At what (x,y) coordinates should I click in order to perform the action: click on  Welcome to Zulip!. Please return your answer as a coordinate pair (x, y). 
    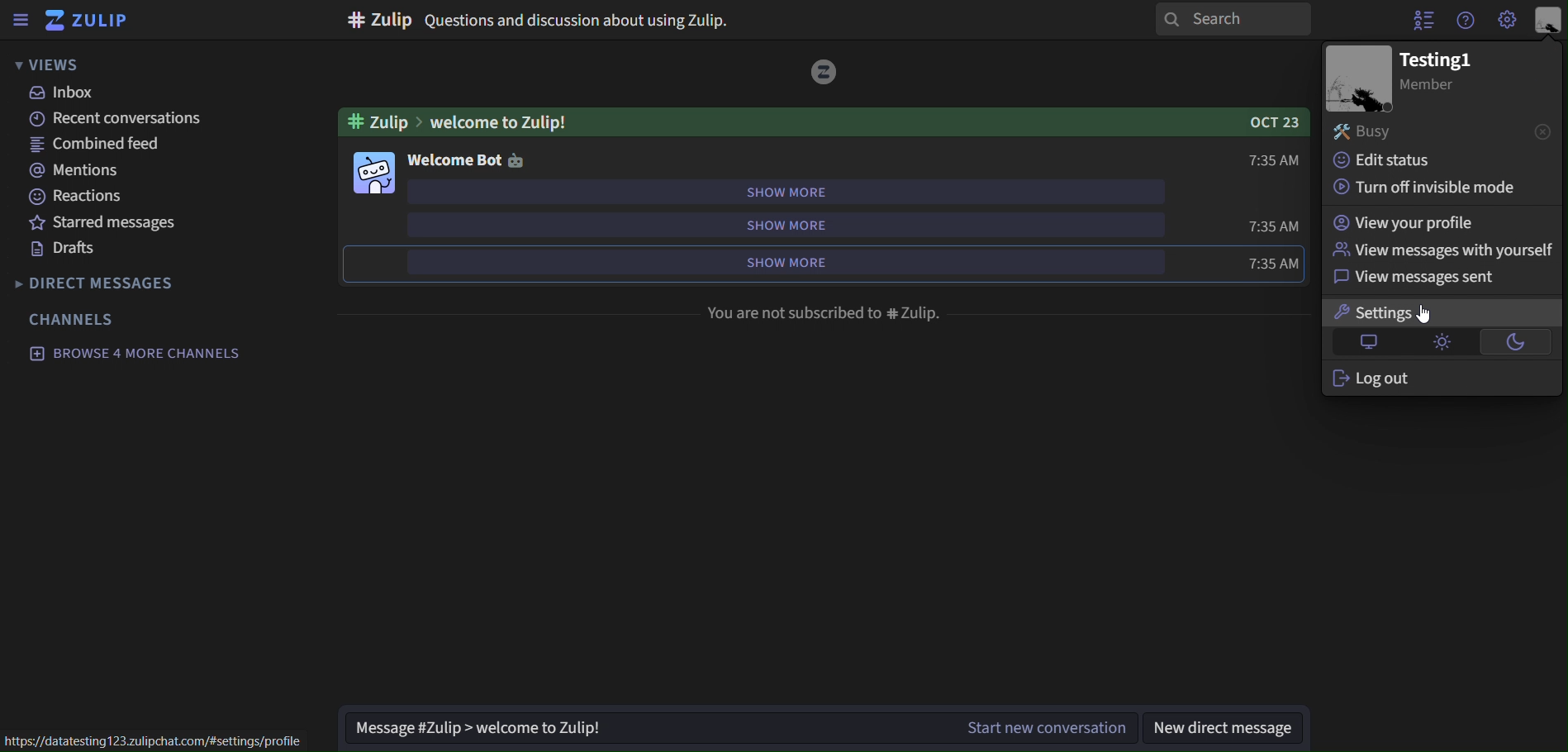
    Looking at the image, I should click on (515, 121).